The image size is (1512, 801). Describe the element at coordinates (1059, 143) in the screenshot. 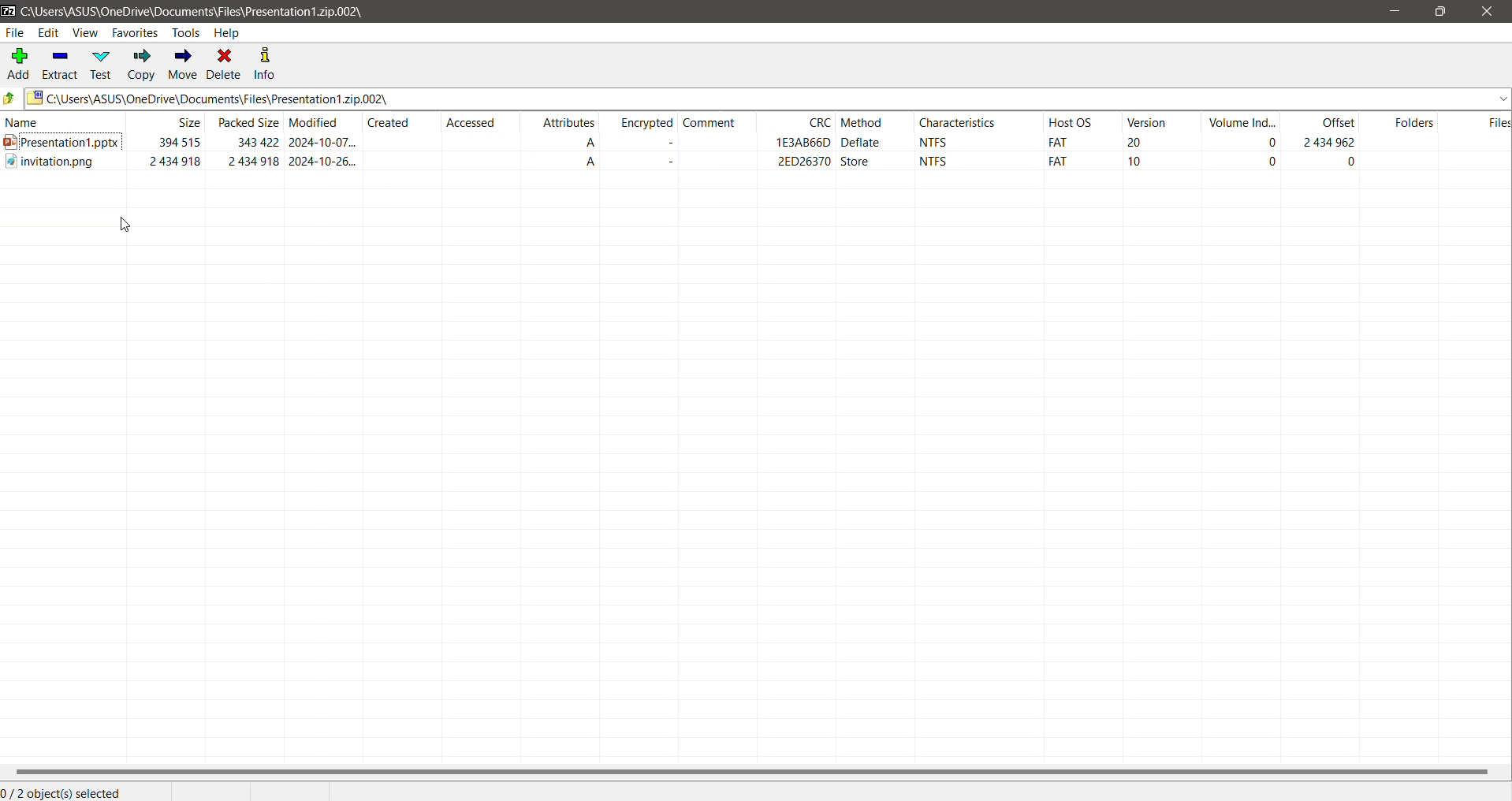

I see `FAT` at that location.